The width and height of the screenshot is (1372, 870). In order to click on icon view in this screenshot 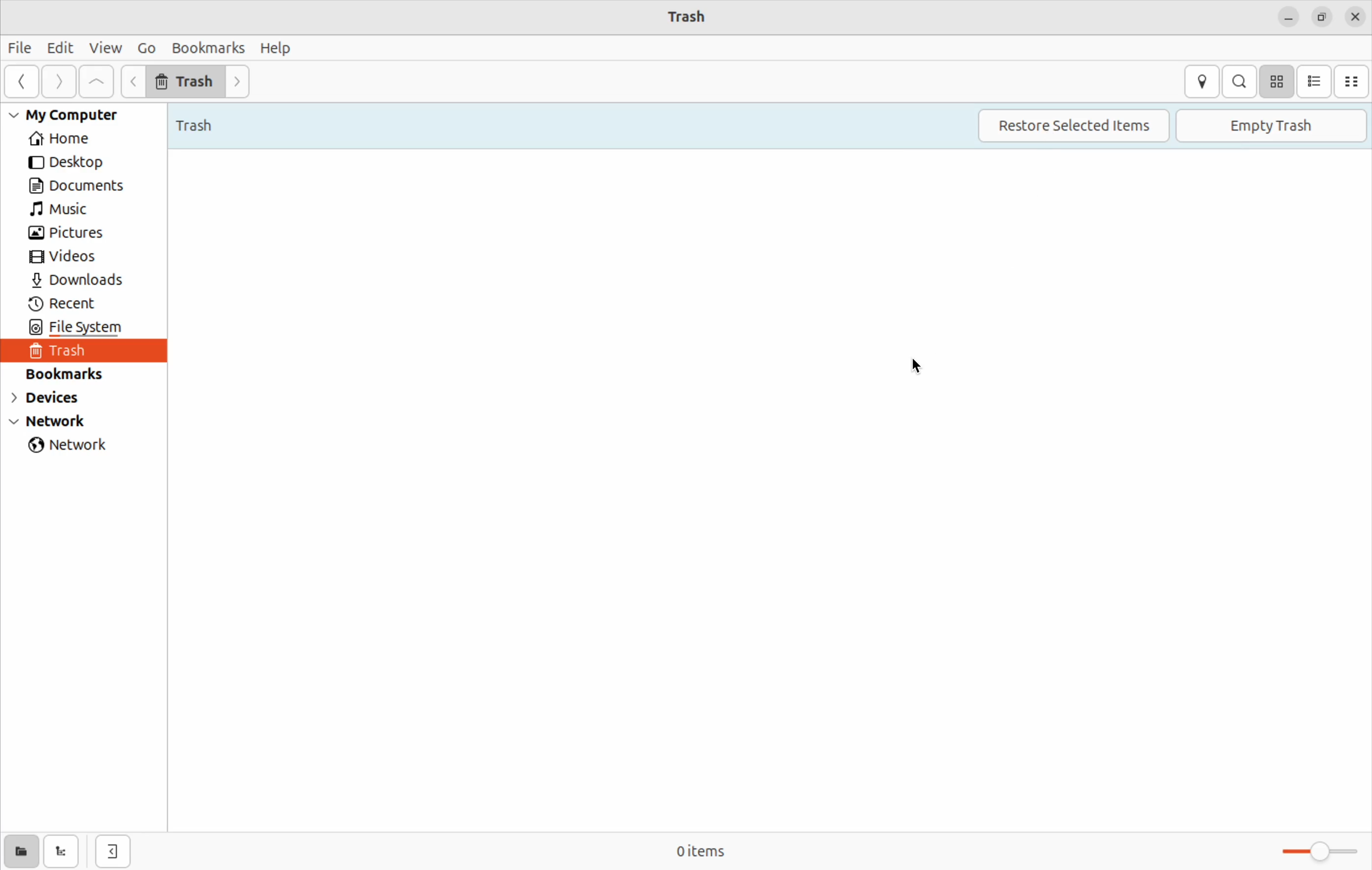, I will do `click(1276, 81)`.